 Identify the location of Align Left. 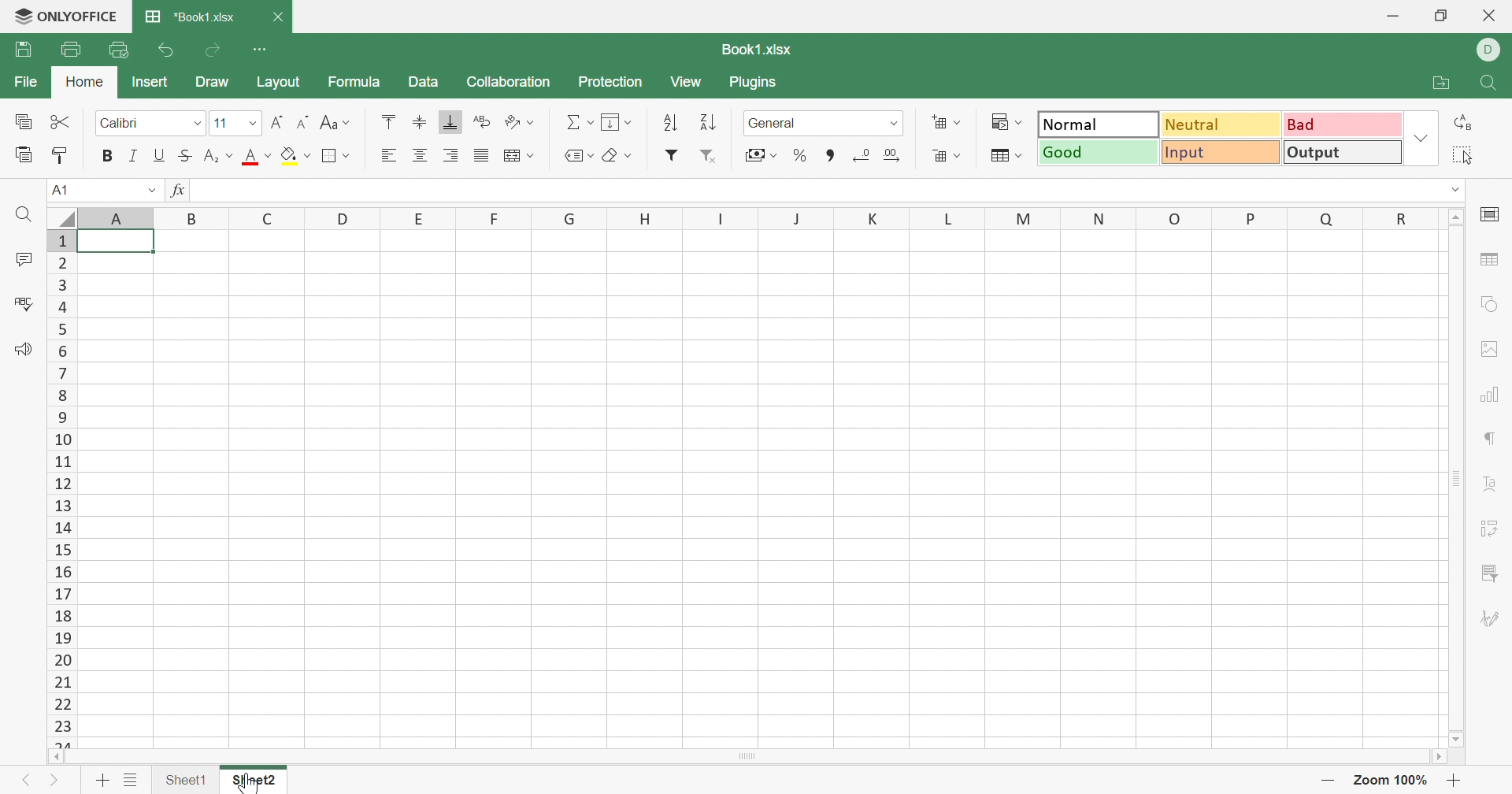
(388, 155).